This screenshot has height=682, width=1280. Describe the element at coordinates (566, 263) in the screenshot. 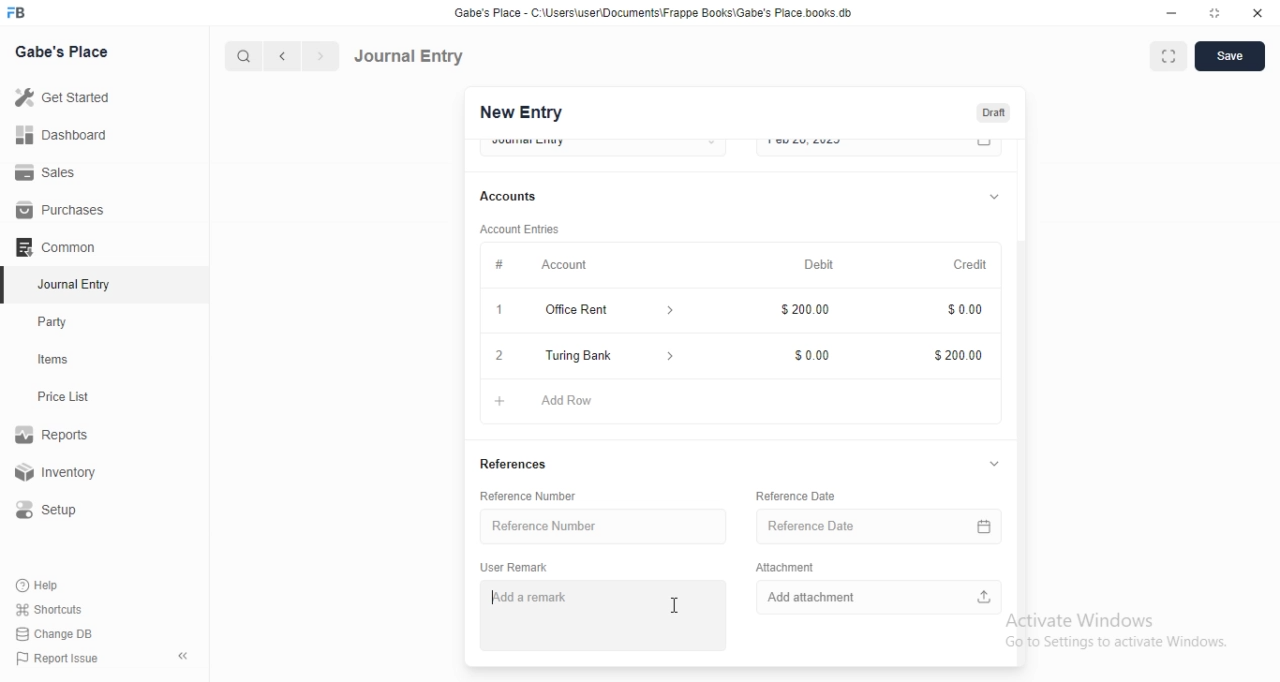

I see `Account` at that location.